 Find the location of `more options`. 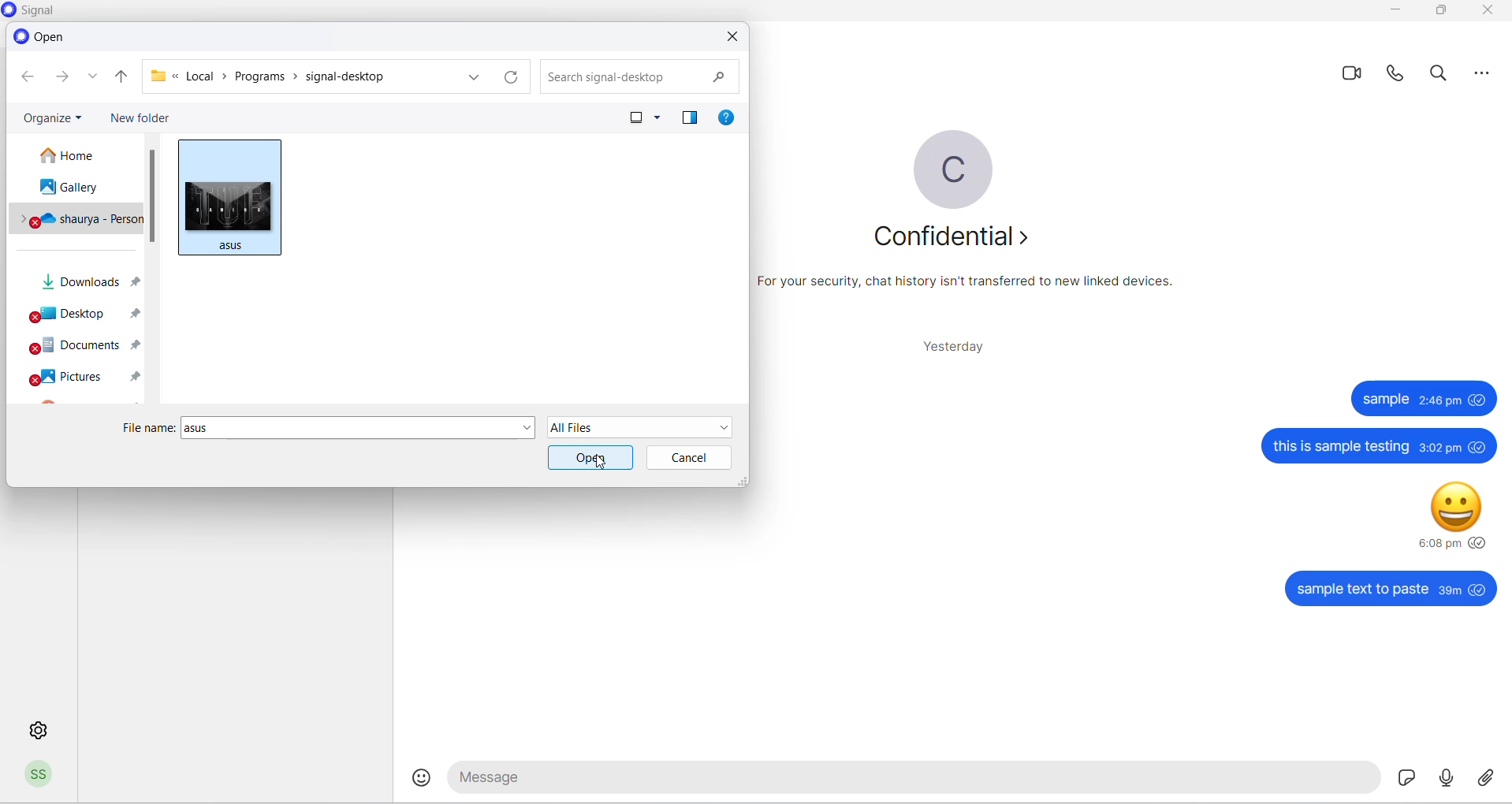

more options is located at coordinates (660, 119).